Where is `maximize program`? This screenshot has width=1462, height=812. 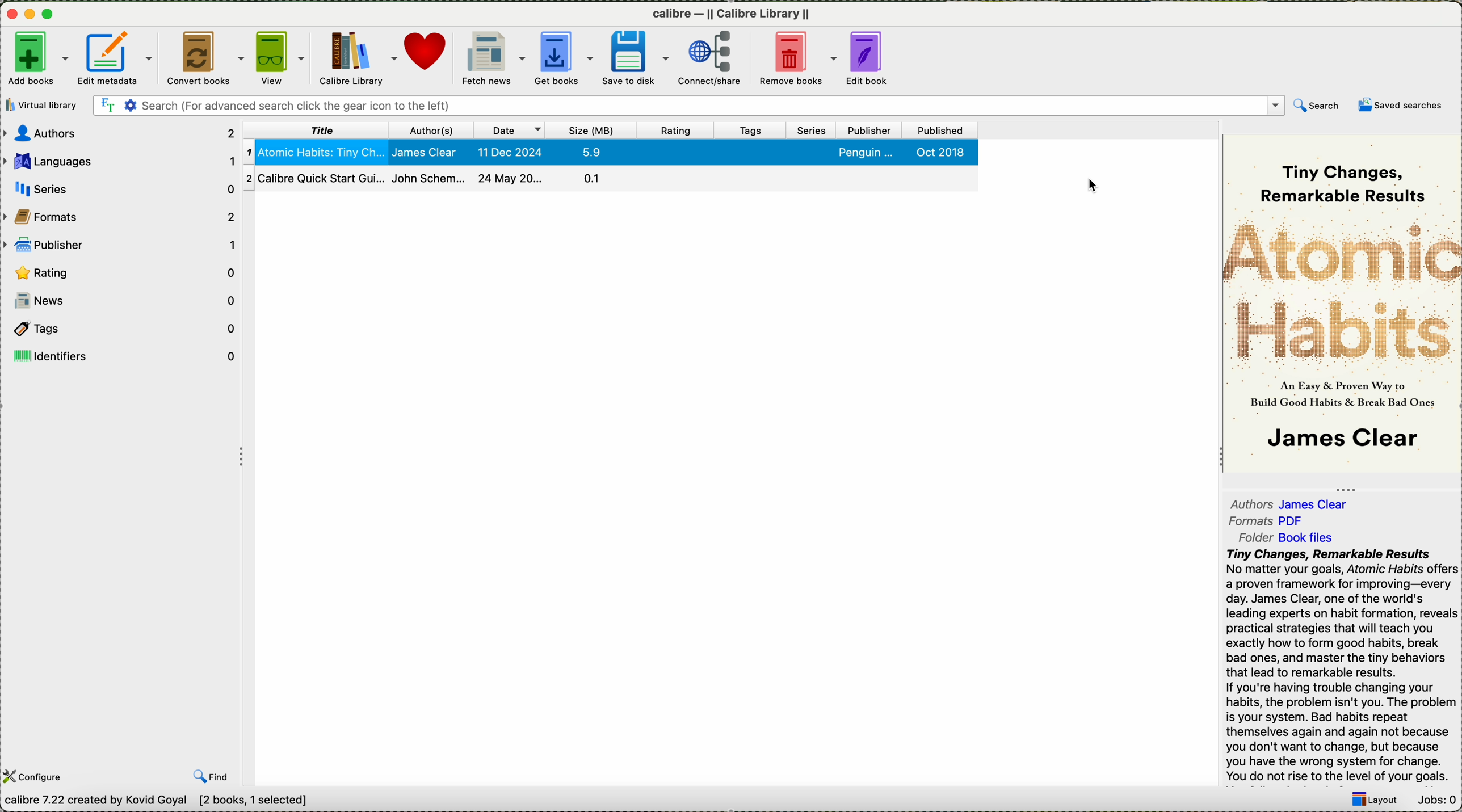 maximize program is located at coordinates (50, 15).